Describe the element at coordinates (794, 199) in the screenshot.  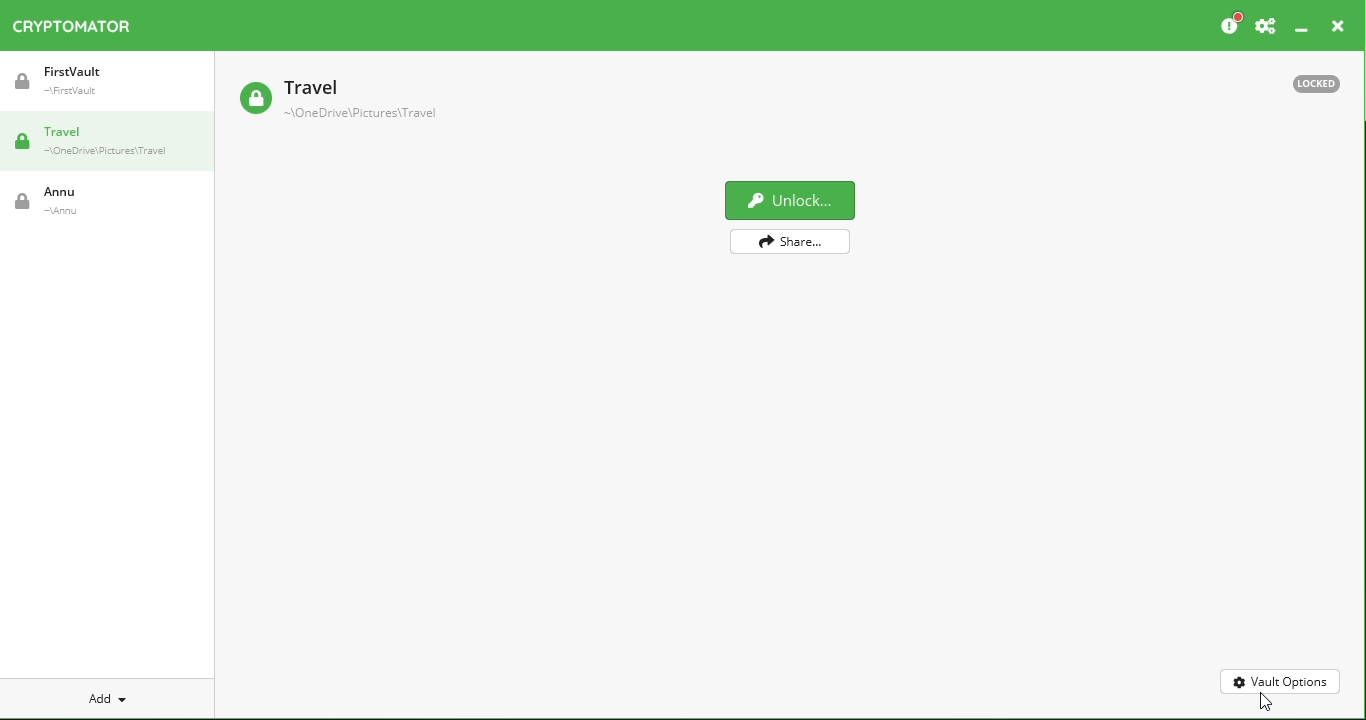
I see `Unclock vault` at that location.